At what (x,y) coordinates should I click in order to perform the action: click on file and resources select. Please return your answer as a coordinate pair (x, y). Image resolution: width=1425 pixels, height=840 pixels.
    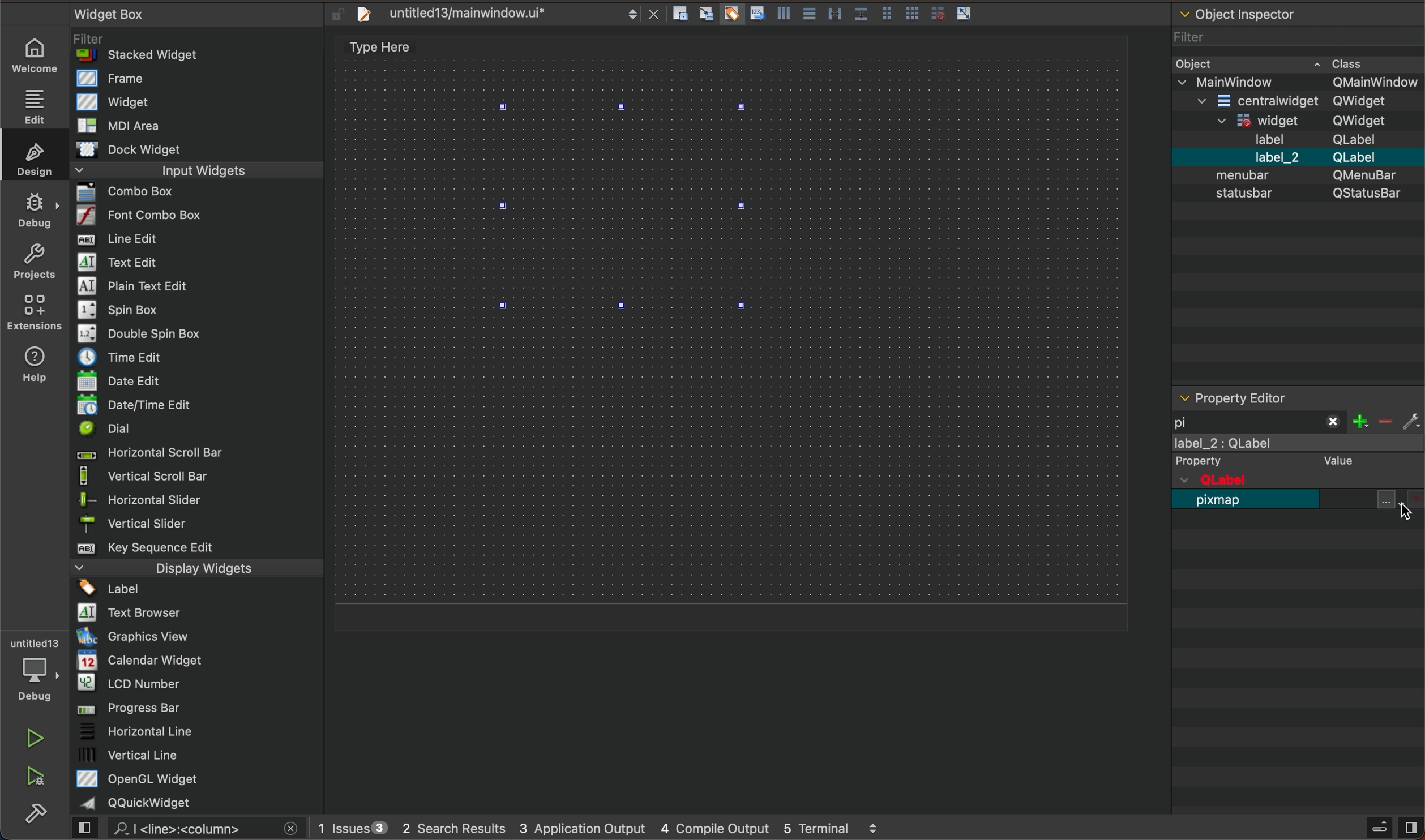
    Looking at the image, I should click on (1402, 499).